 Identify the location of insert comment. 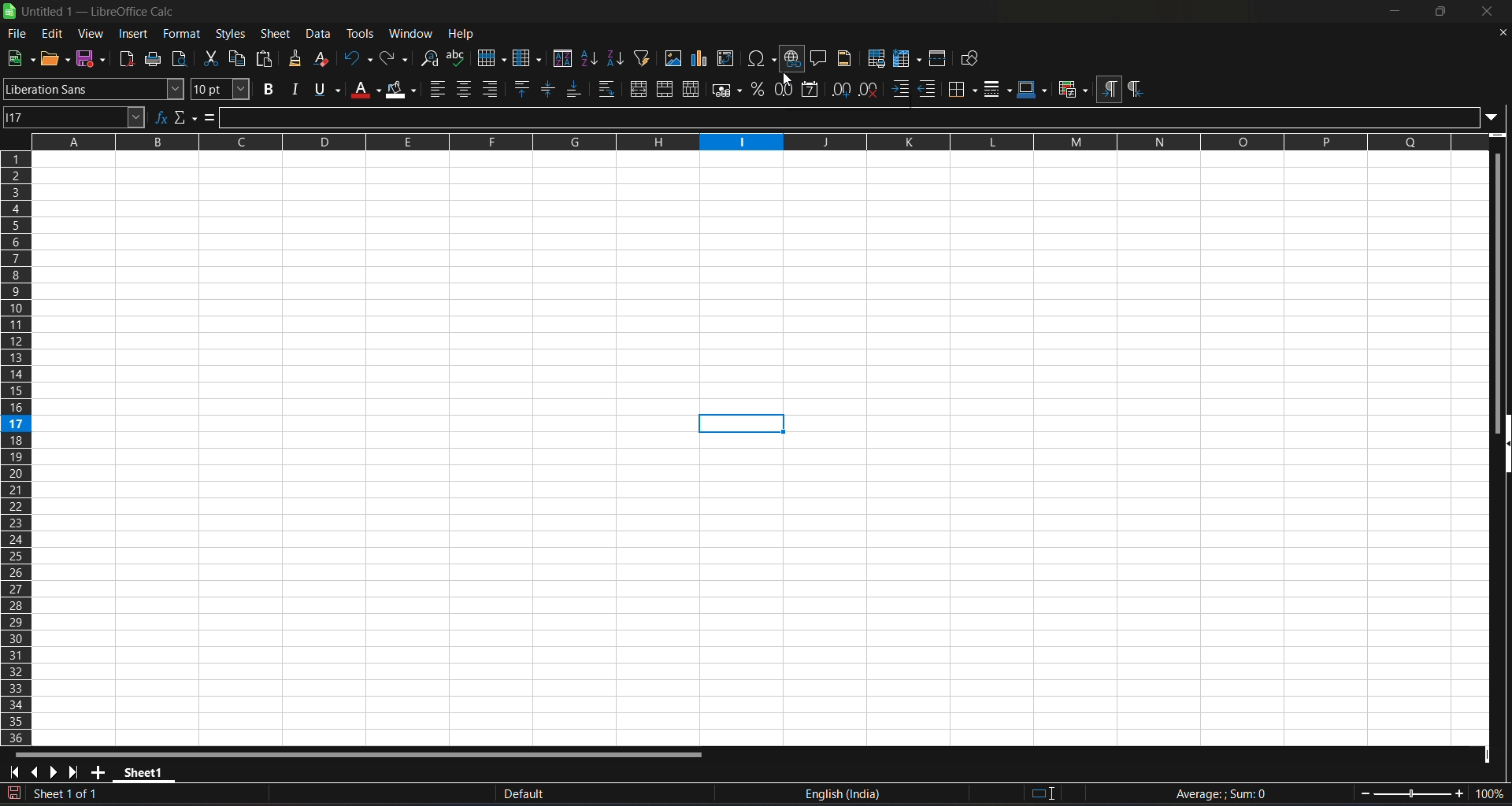
(820, 57).